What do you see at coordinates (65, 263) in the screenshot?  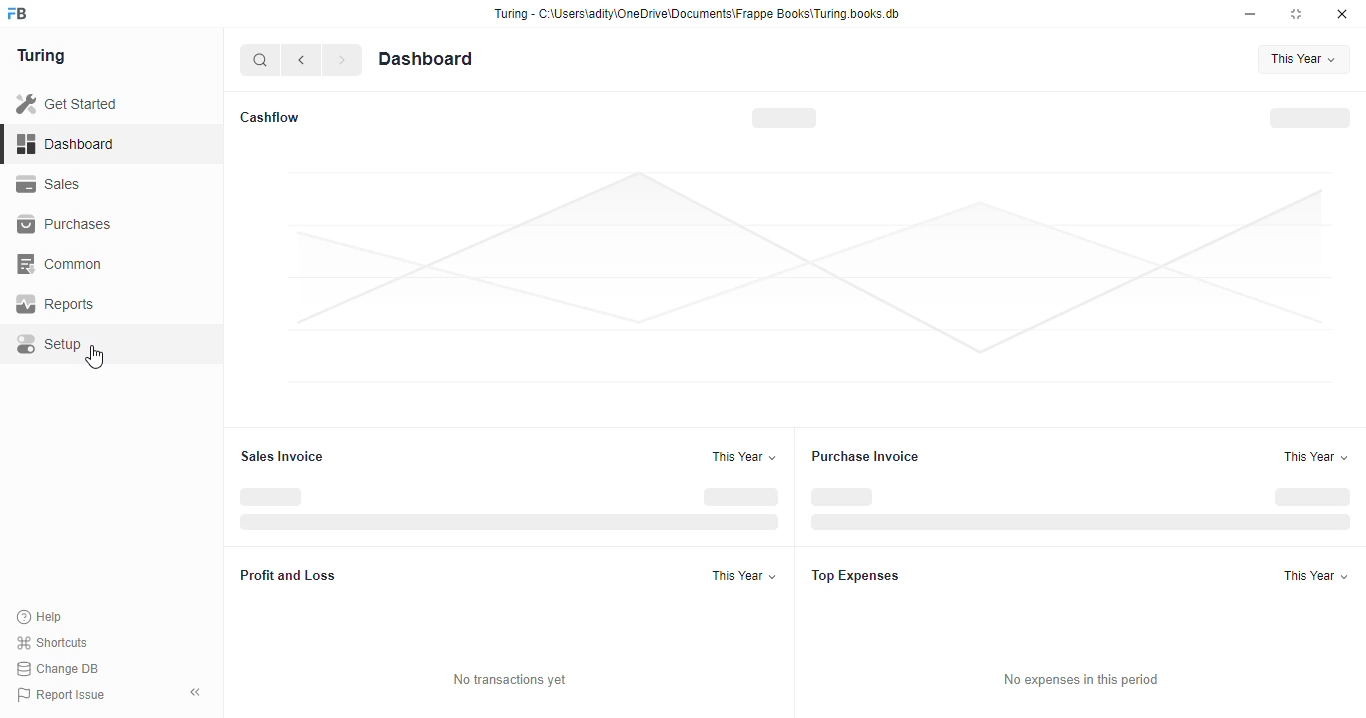 I see `‘Common` at bounding box center [65, 263].